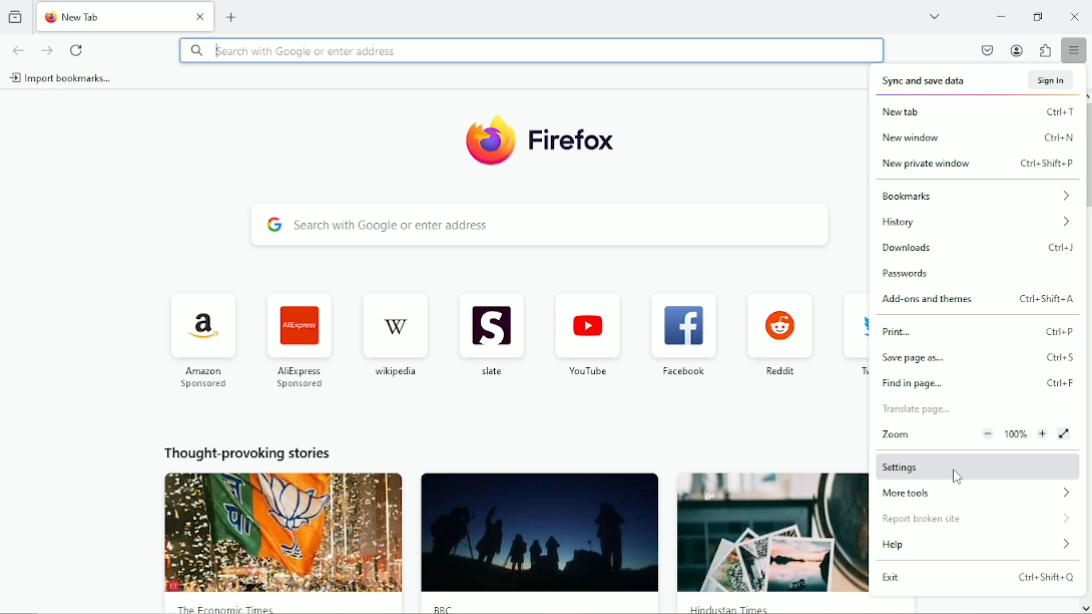  I want to click on AliExpress, so click(301, 340).